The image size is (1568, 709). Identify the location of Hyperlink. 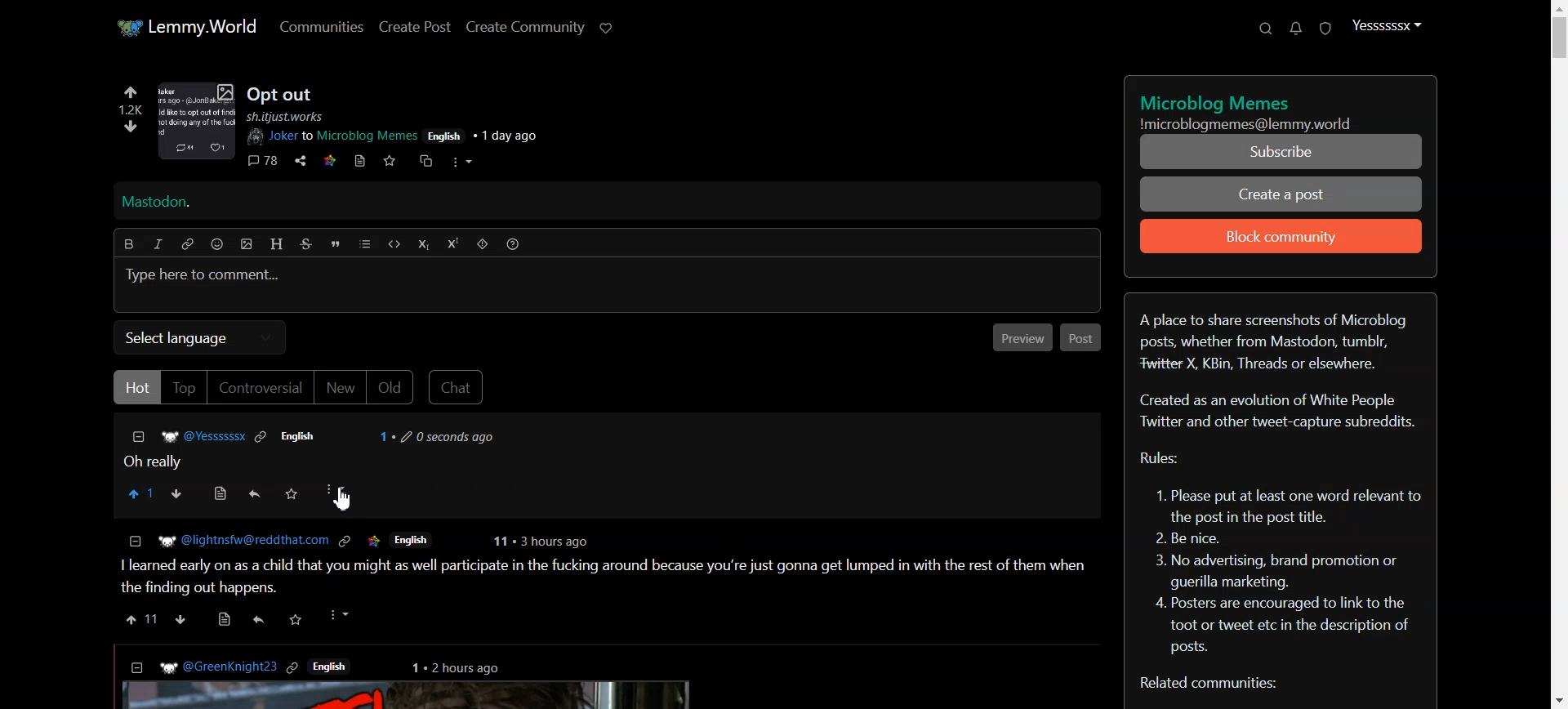
(189, 243).